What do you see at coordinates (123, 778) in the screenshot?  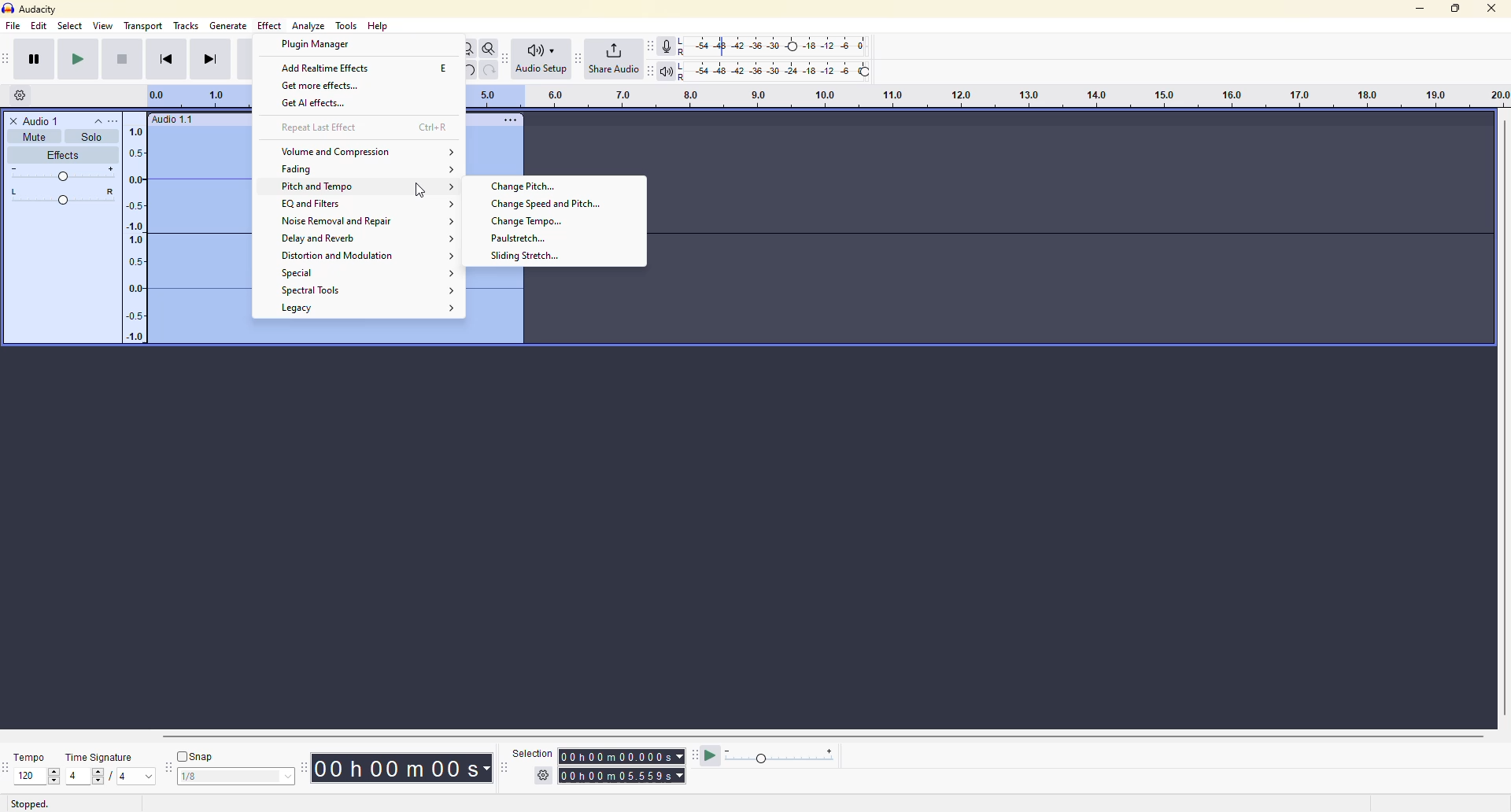 I see `4` at bounding box center [123, 778].